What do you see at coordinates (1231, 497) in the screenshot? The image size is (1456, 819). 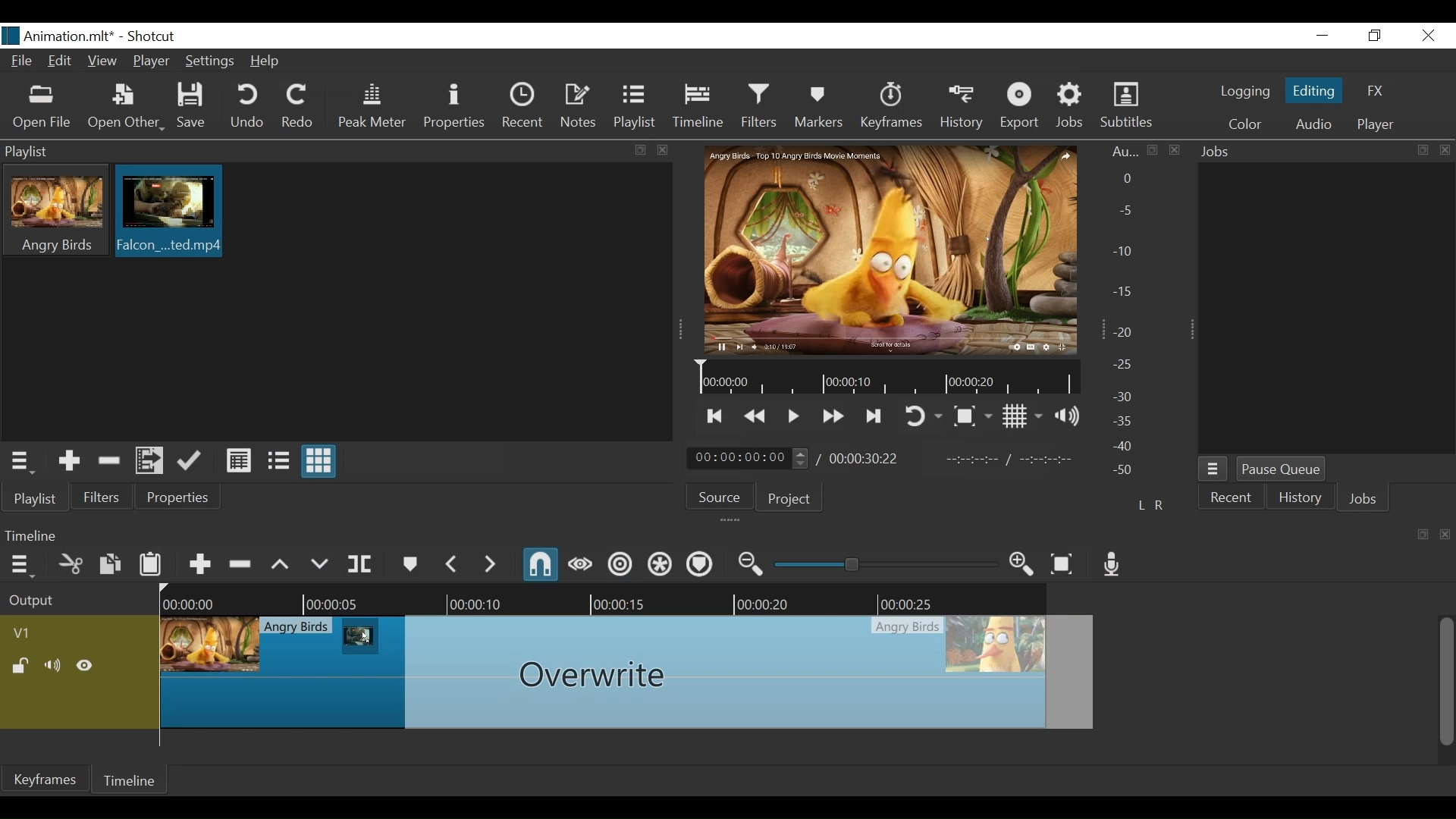 I see `Recent` at bounding box center [1231, 497].